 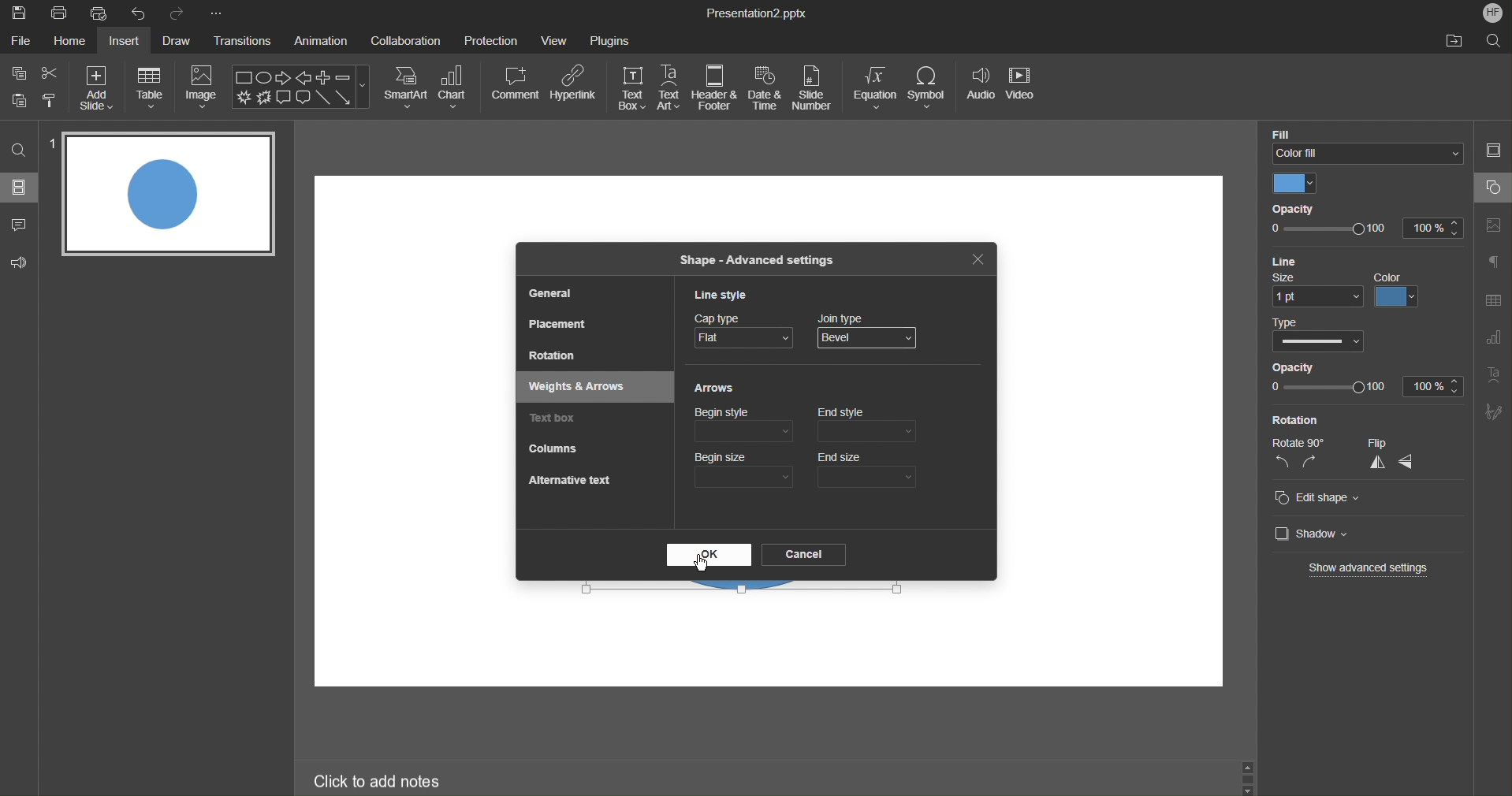 I want to click on Home, so click(x=68, y=42).